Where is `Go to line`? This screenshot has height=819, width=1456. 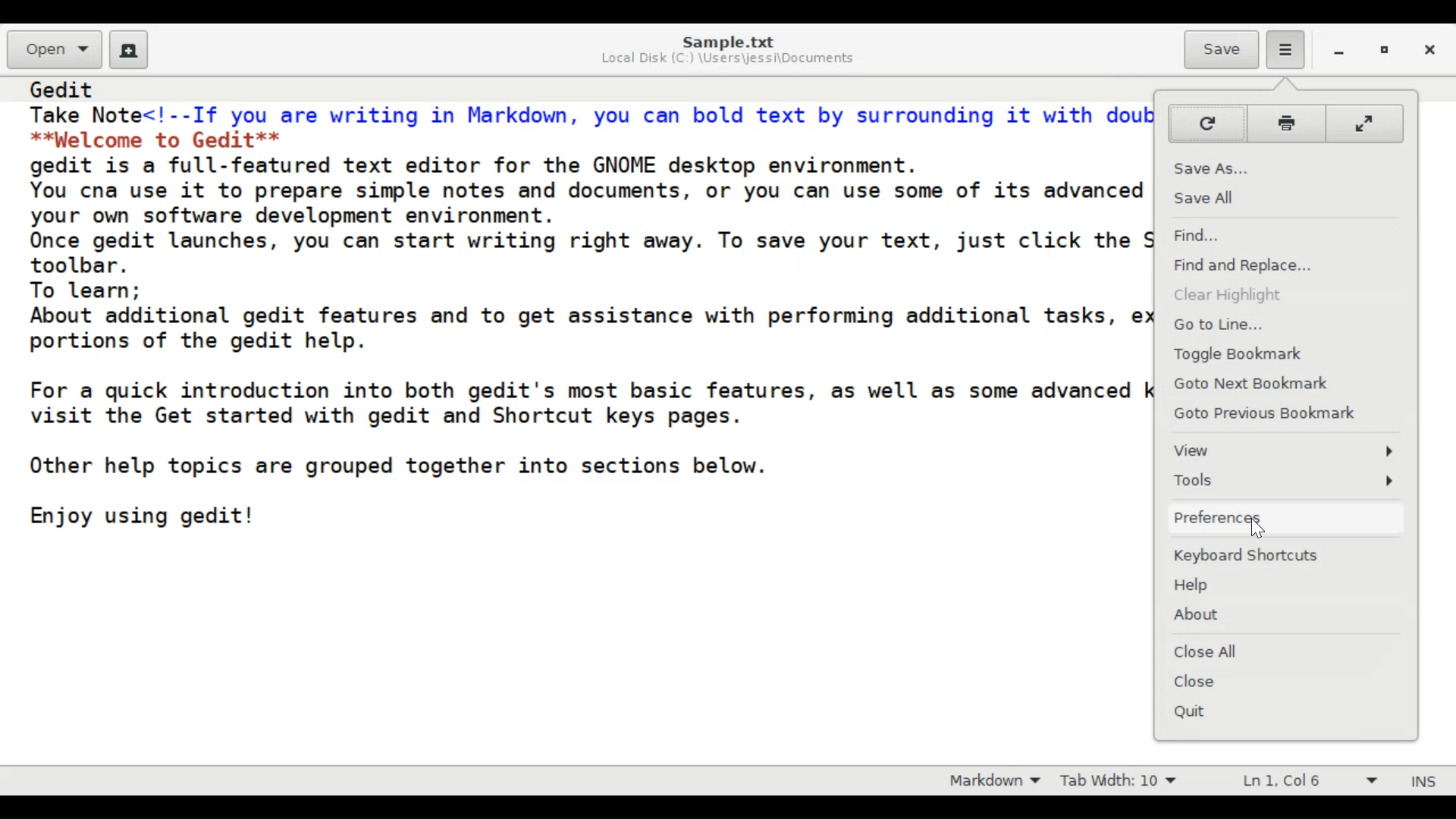 Go to line is located at coordinates (1219, 324).